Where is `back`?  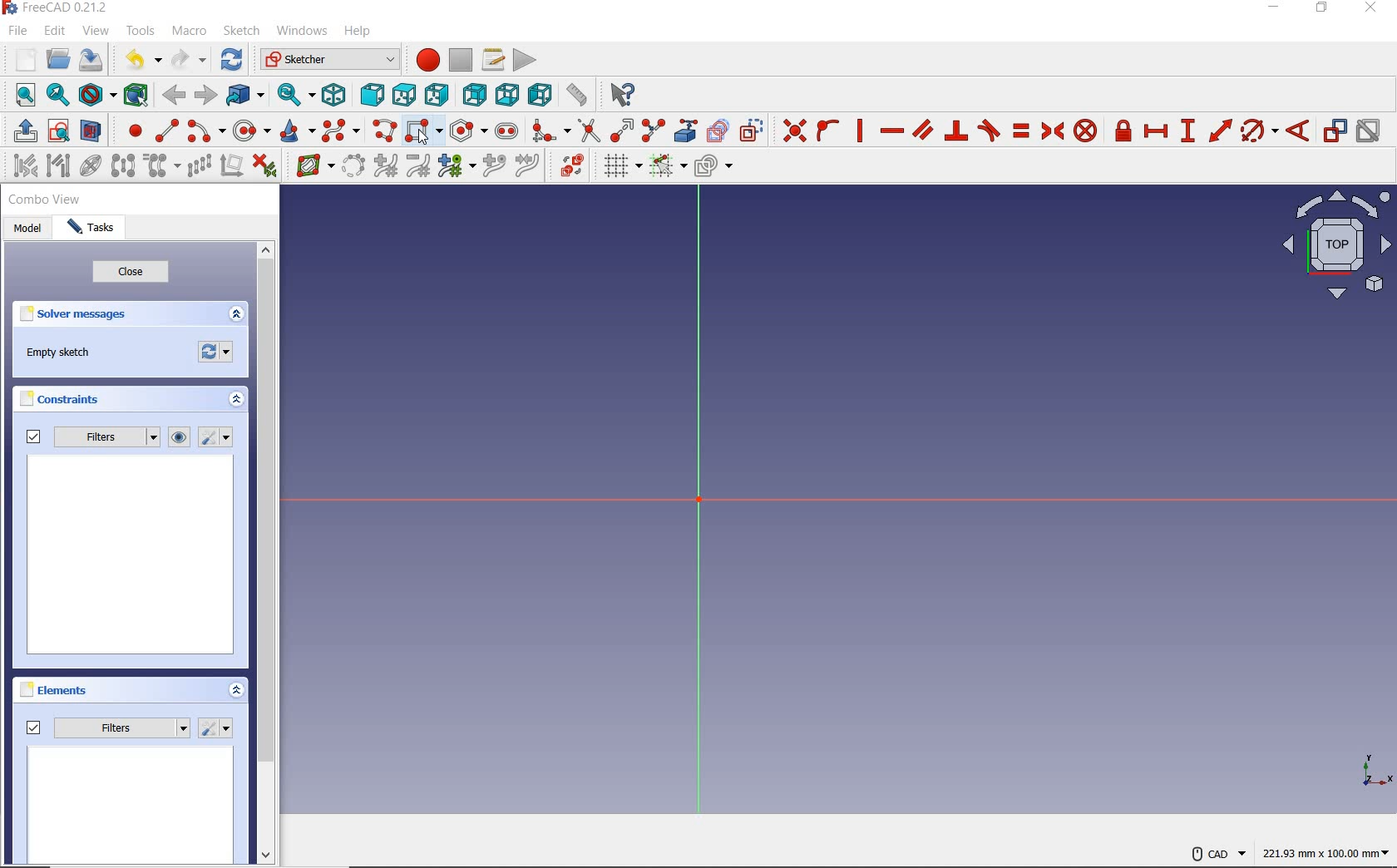 back is located at coordinates (176, 95).